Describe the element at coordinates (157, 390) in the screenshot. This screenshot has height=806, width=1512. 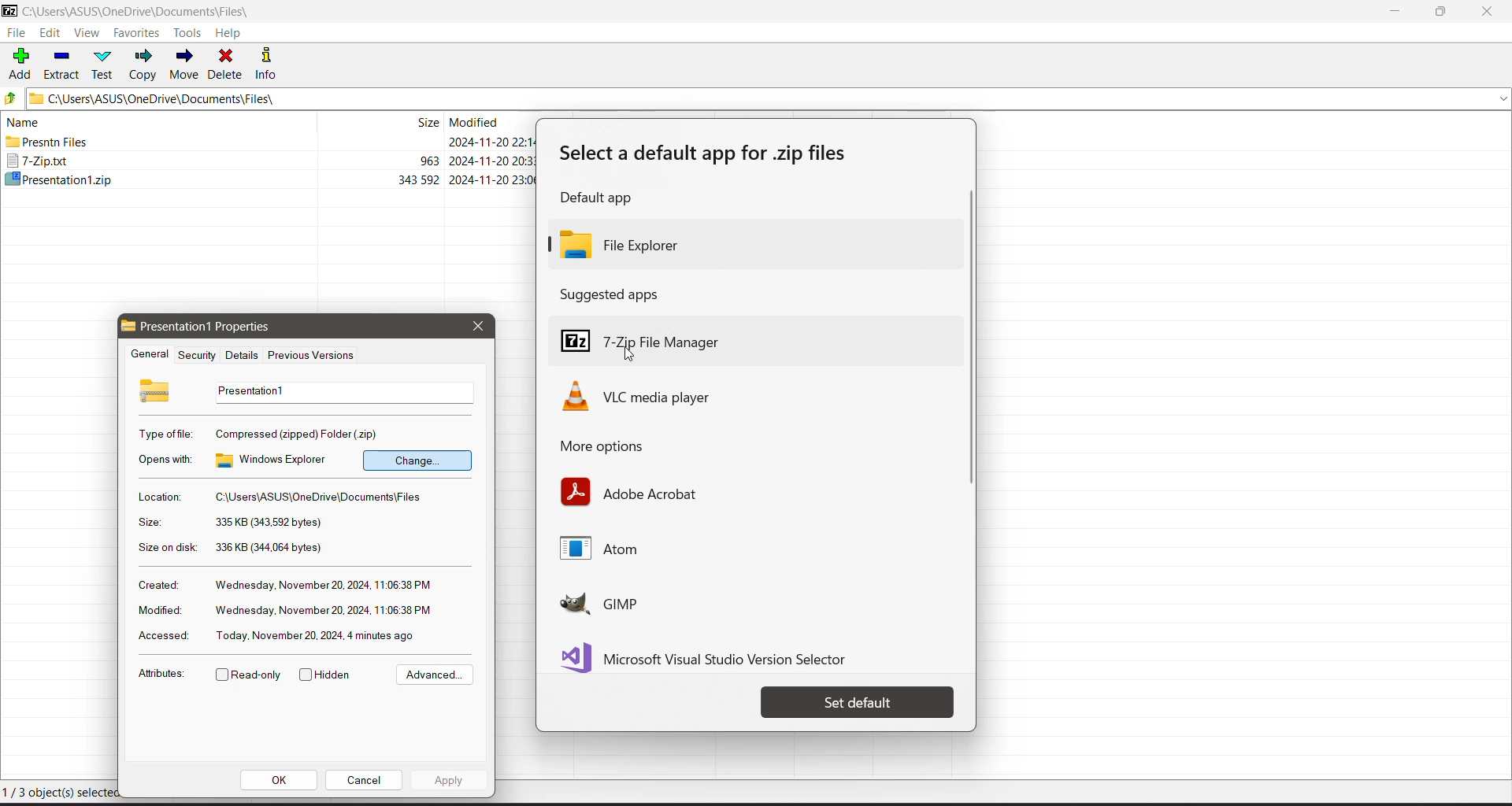
I see `Selected File Icon` at that location.